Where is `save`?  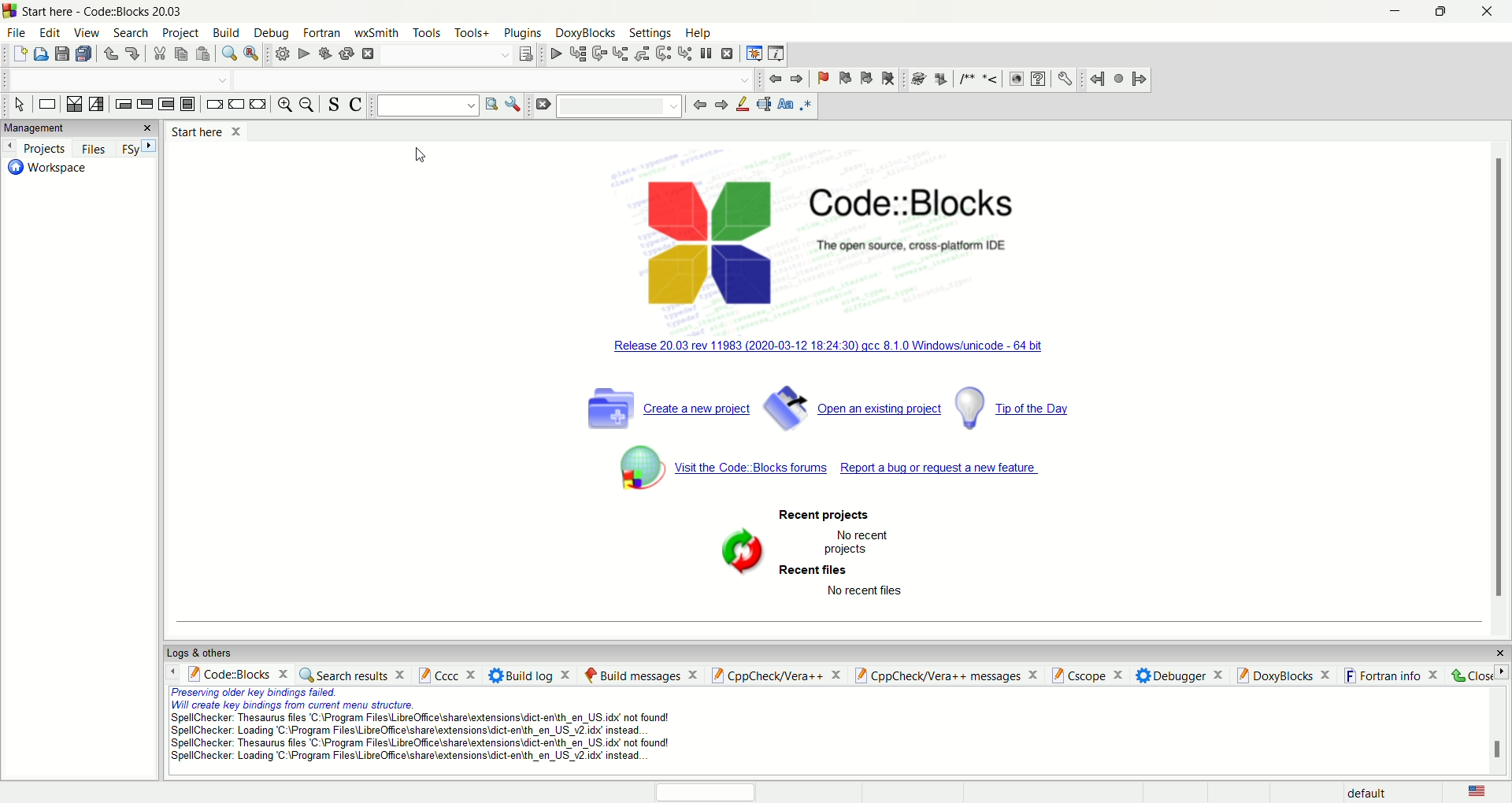 save is located at coordinates (63, 56).